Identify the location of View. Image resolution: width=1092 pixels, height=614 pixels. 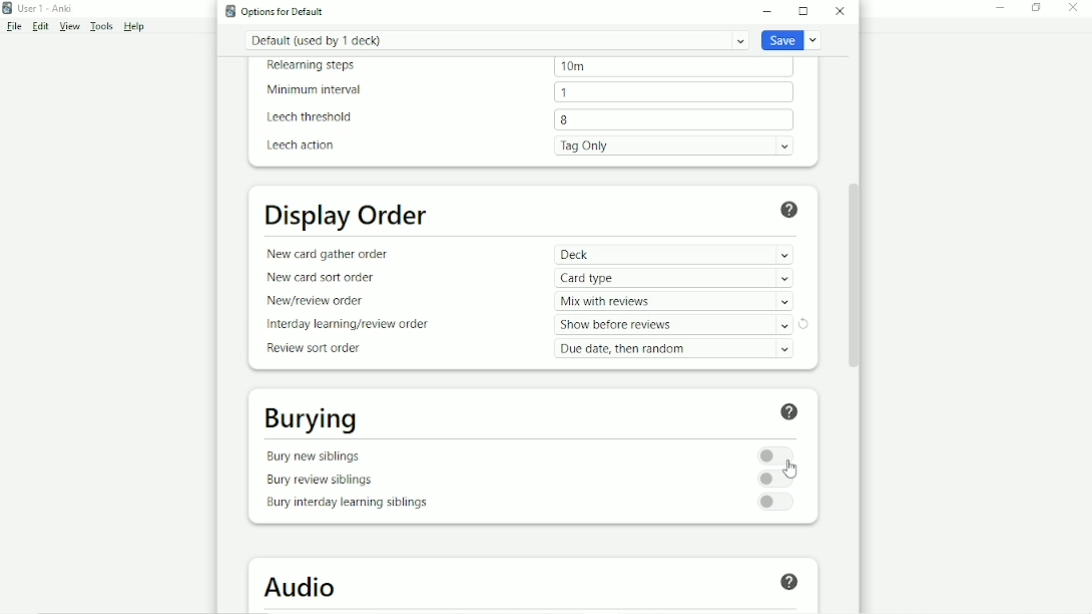
(71, 27).